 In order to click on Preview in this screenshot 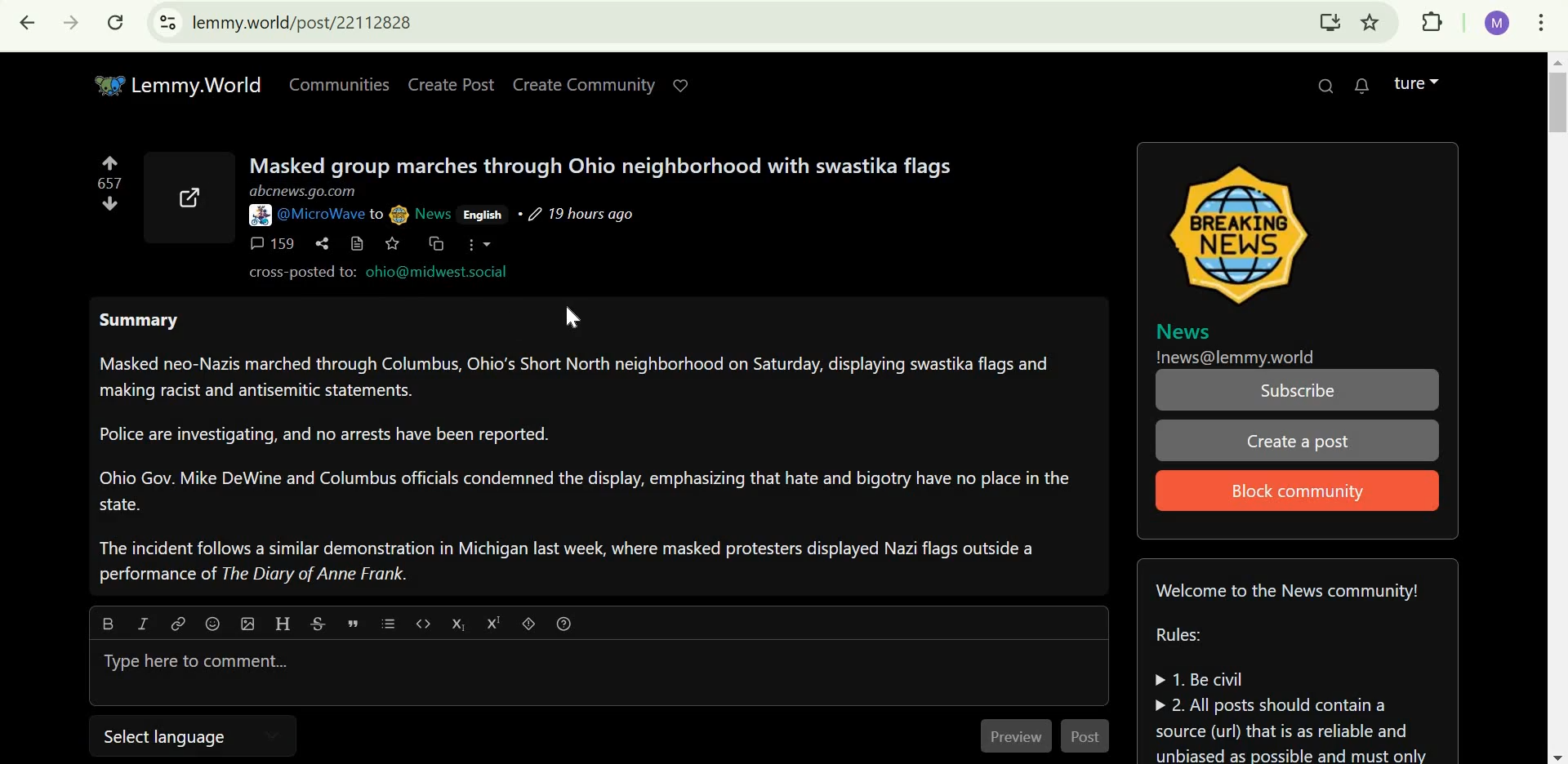, I will do `click(1012, 738)`.